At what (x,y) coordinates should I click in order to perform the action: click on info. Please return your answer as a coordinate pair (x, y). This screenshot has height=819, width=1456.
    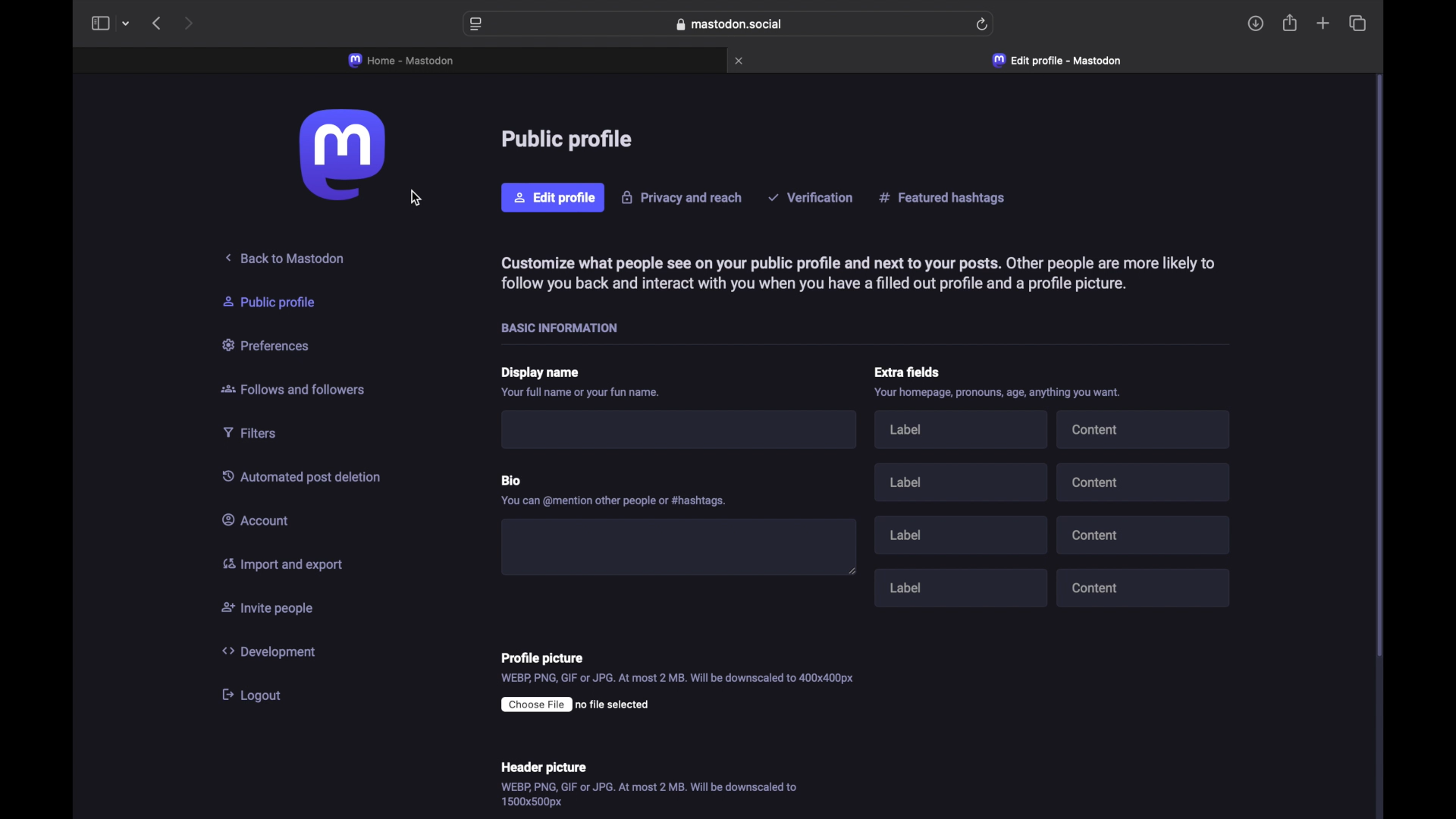
    Looking at the image, I should click on (613, 501).